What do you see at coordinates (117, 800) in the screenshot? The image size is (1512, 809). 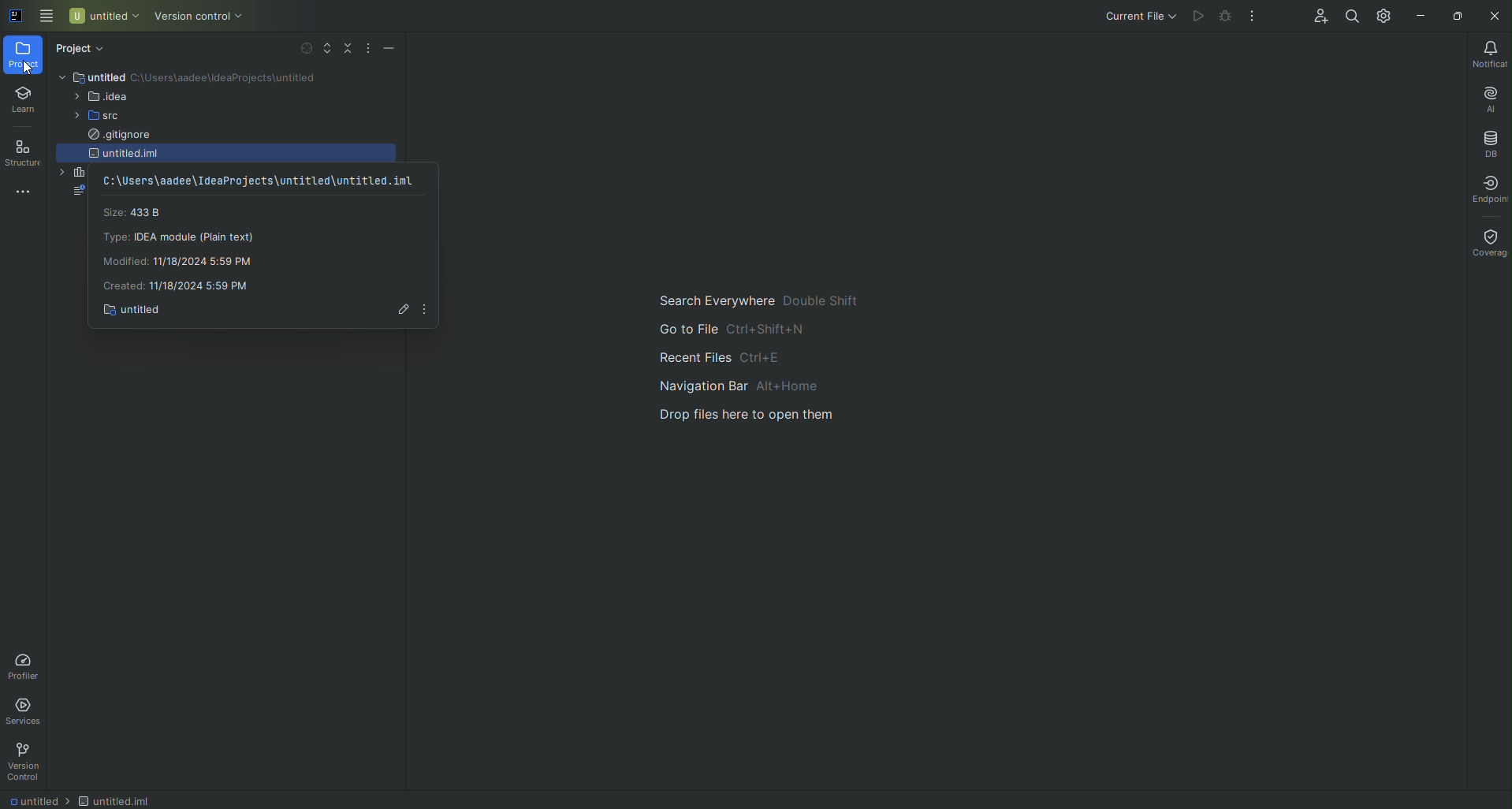 I see `Untitled` at bounding box center [117, 800].